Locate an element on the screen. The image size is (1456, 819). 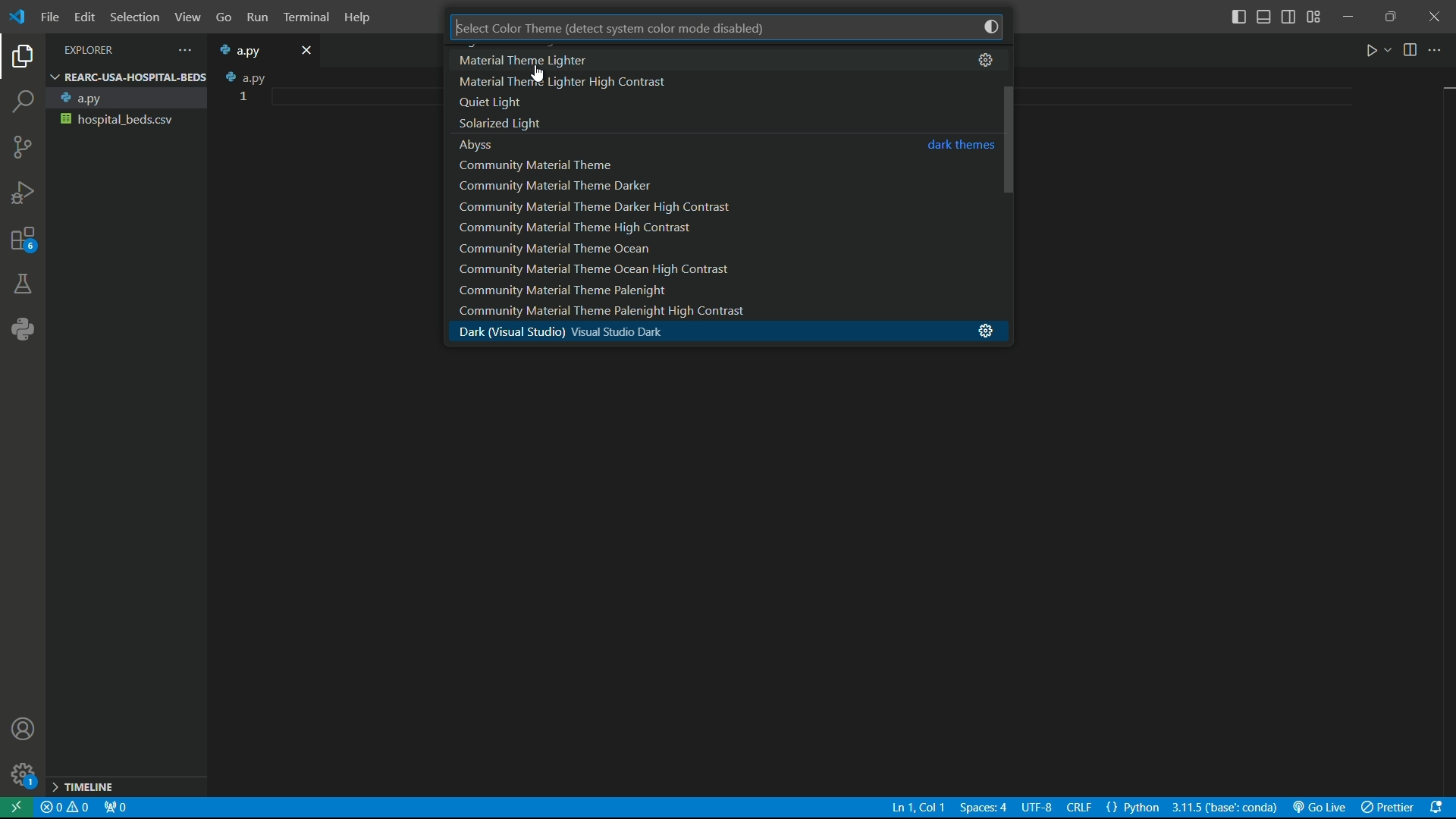
Abyss is located at coordinates (483, 143).